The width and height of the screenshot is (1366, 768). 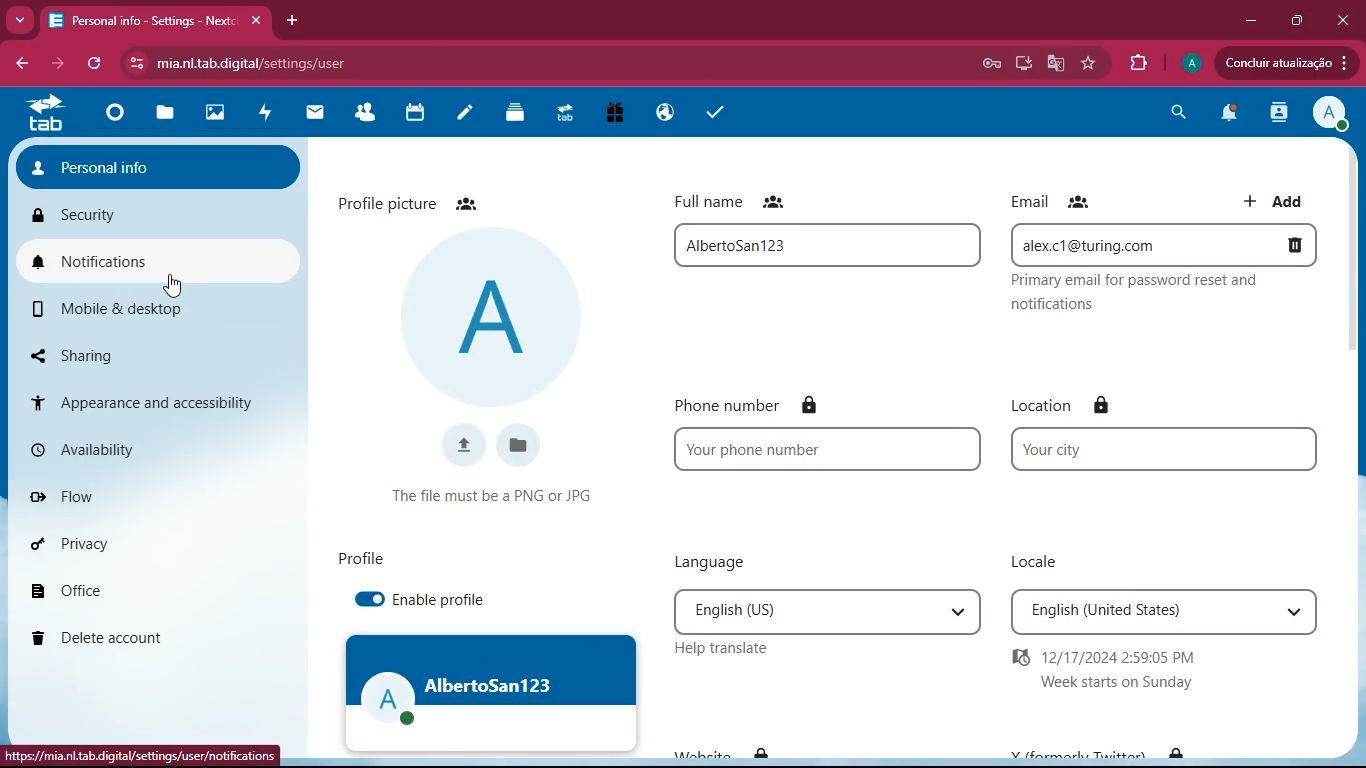 I want to click on 12/17/2024 2:59:05 PM
Week starts on Sunday, so click(x=1104, y=671).